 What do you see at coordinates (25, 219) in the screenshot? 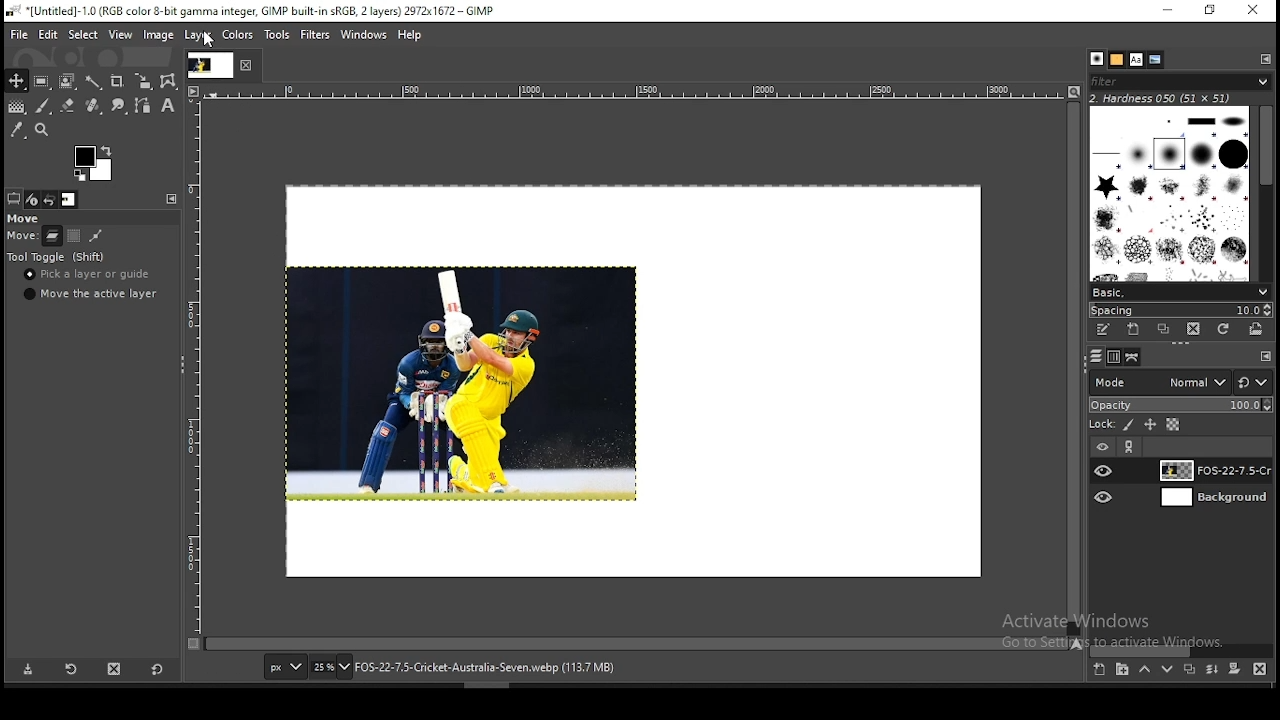
I see `move` at bounding box center [25, 219].